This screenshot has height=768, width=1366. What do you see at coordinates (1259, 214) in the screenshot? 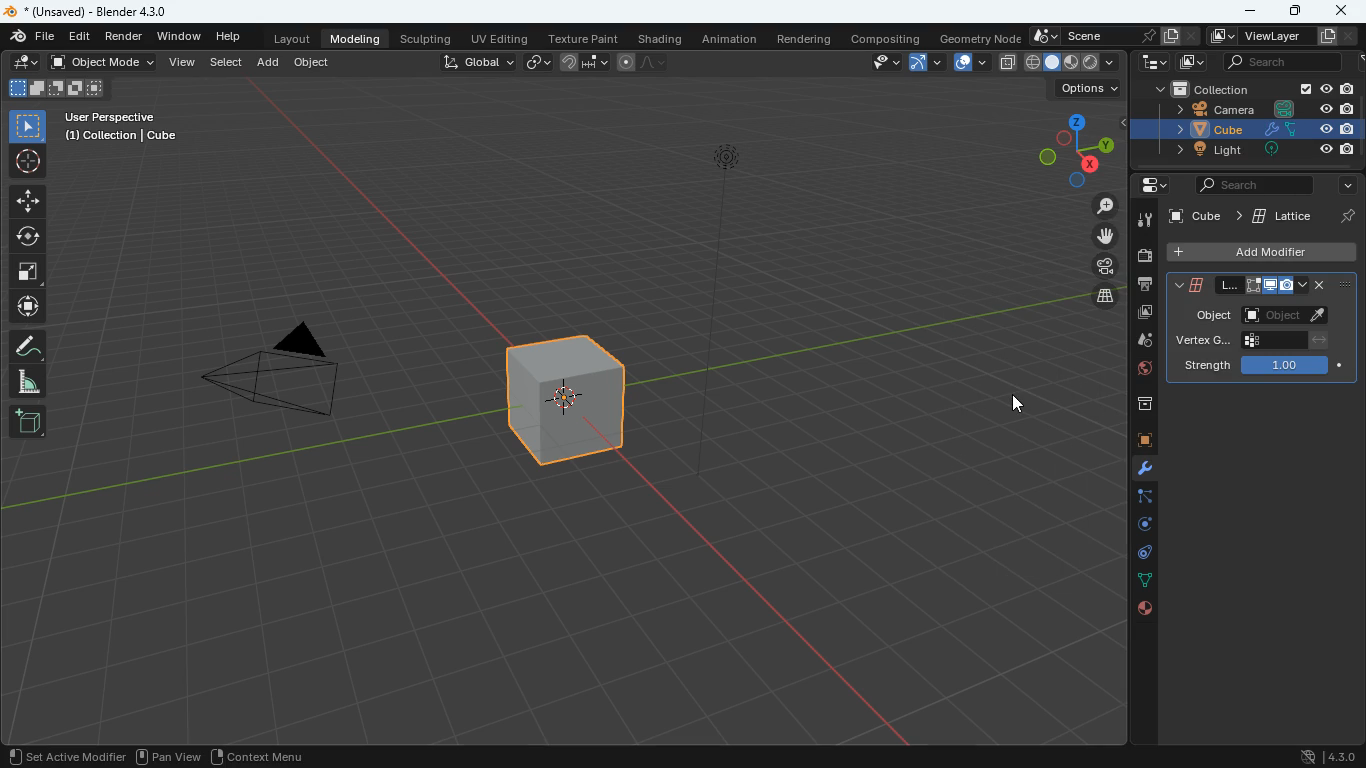
I see `cube` at bounding box center [1259, 214].